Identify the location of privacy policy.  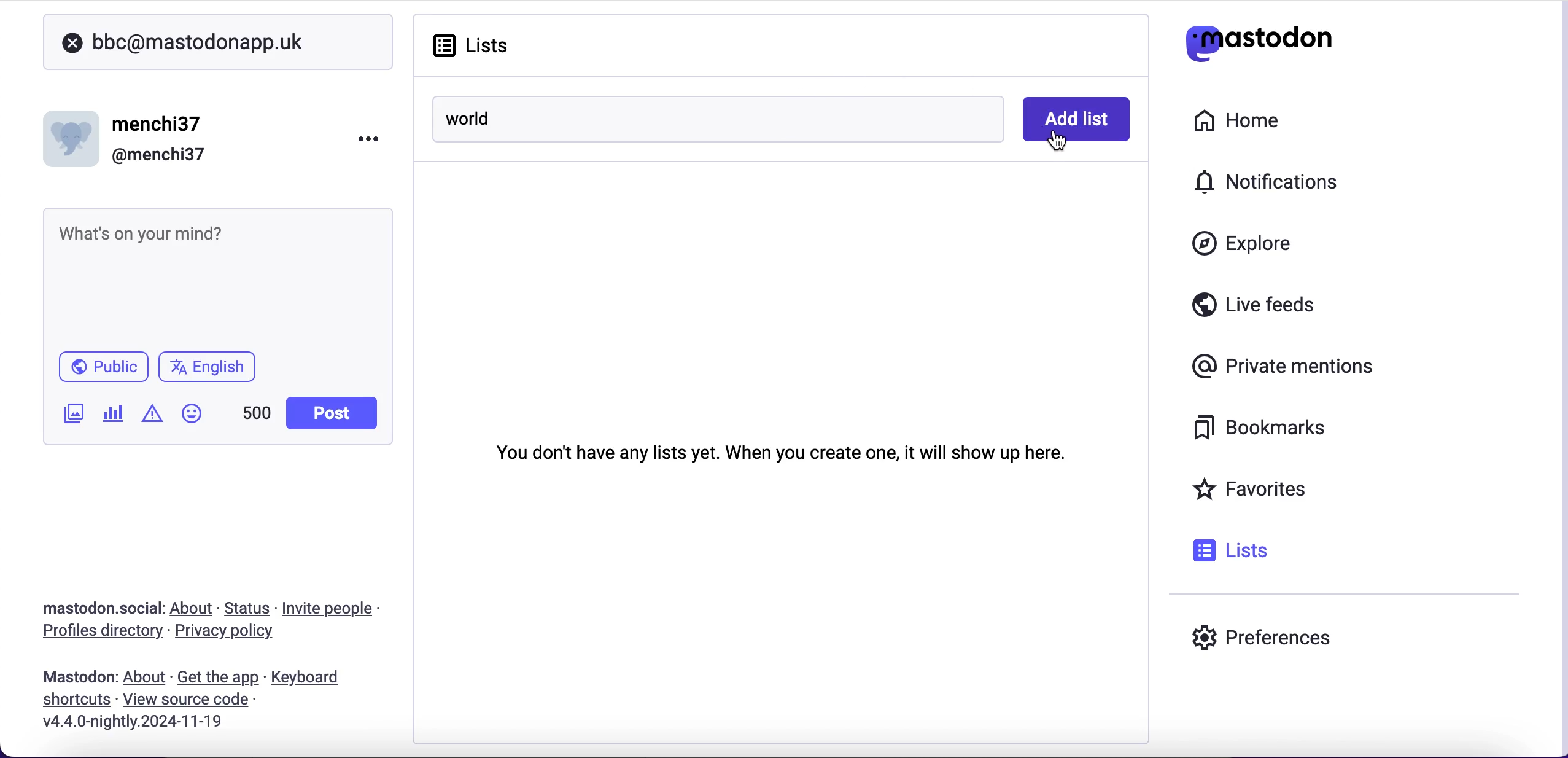
(235, 633).